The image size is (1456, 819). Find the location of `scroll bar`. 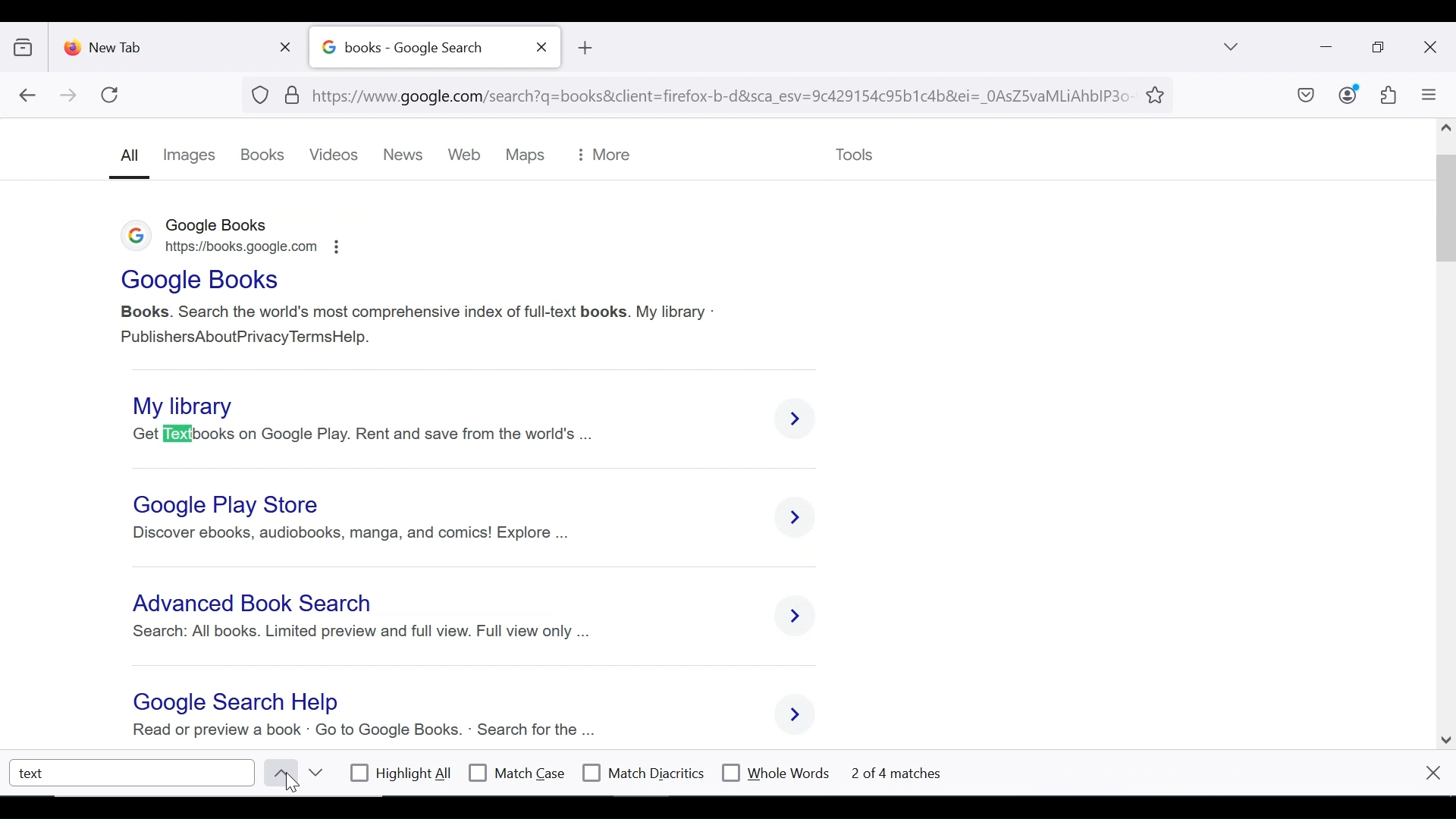

scroll bar is located at coordinates (1447, 429).